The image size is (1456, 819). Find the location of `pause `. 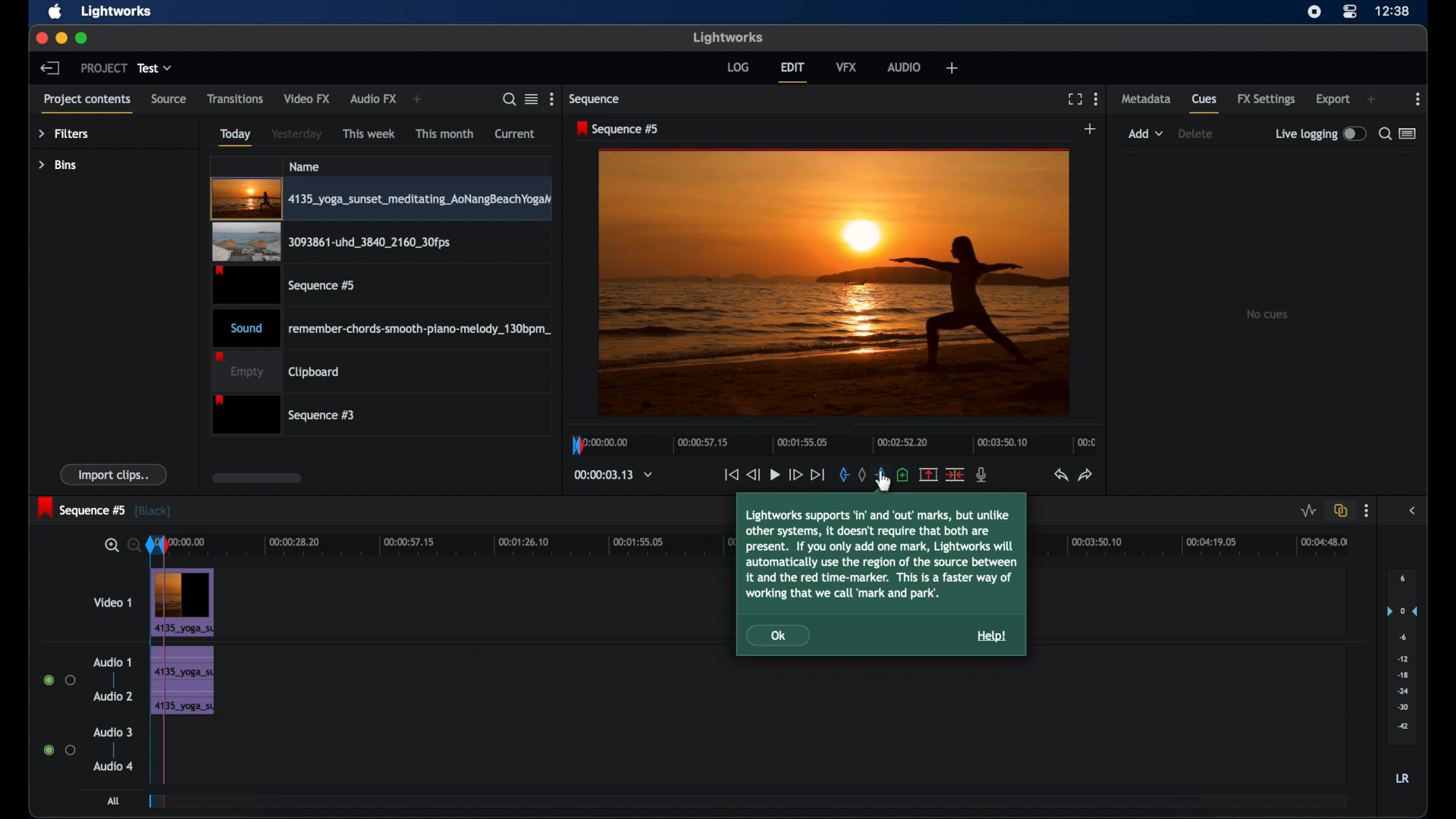

pause  is located at coordinates (774, 475).